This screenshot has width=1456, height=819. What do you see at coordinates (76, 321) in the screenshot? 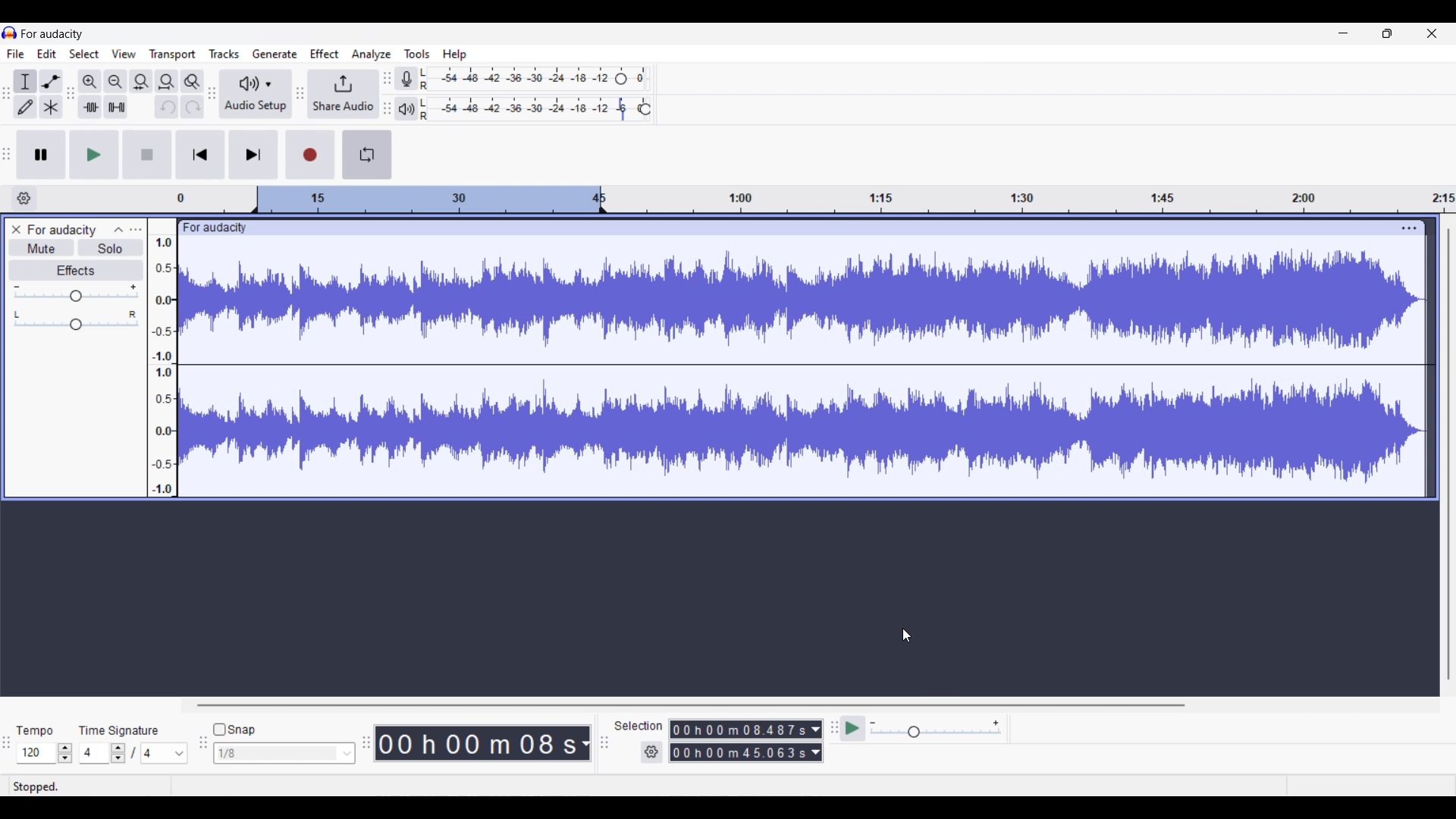
I see `Pan scale` at bounding box center [76, 321].